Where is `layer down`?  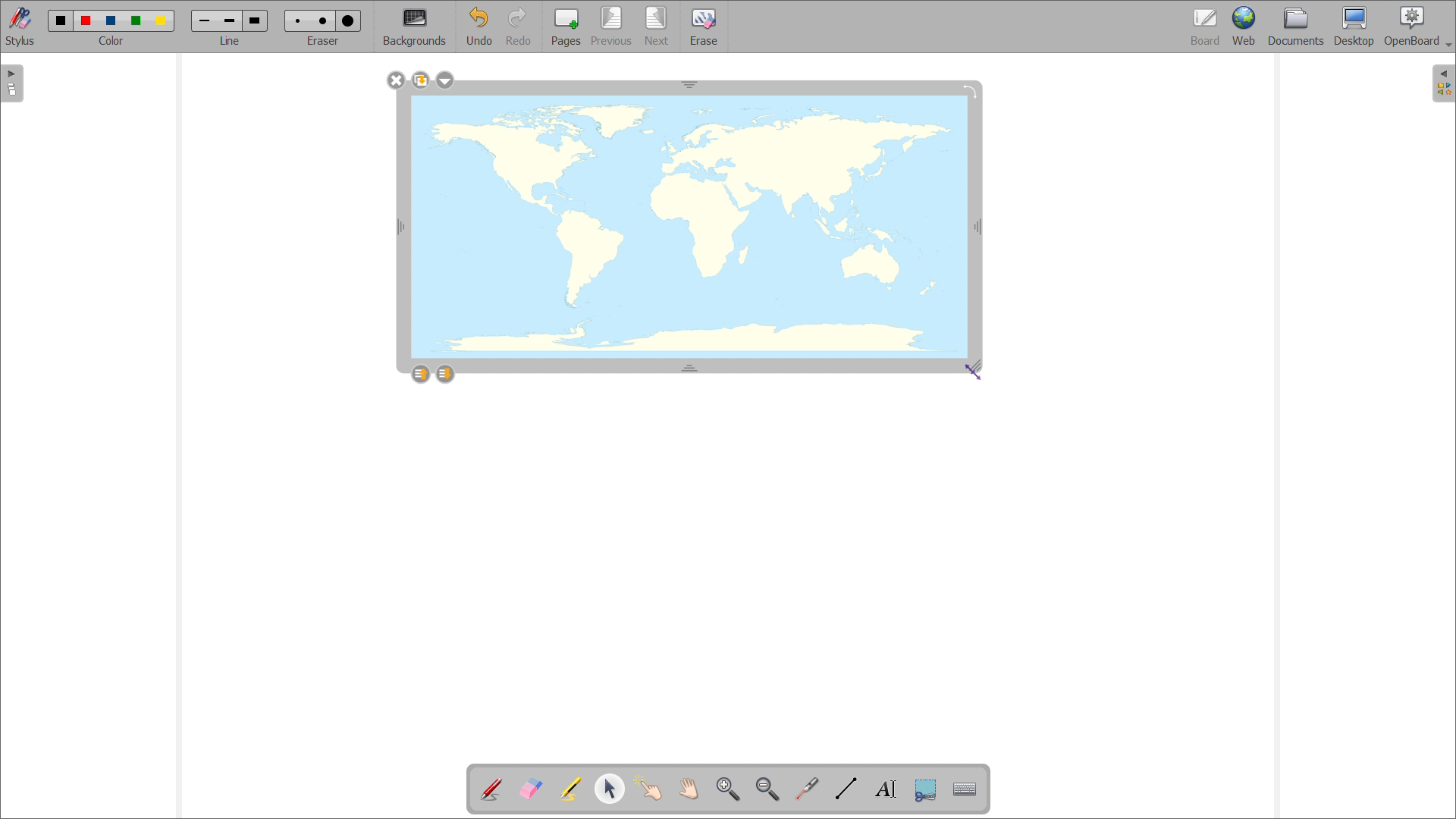
layer down is located at coordinates (444, 373).